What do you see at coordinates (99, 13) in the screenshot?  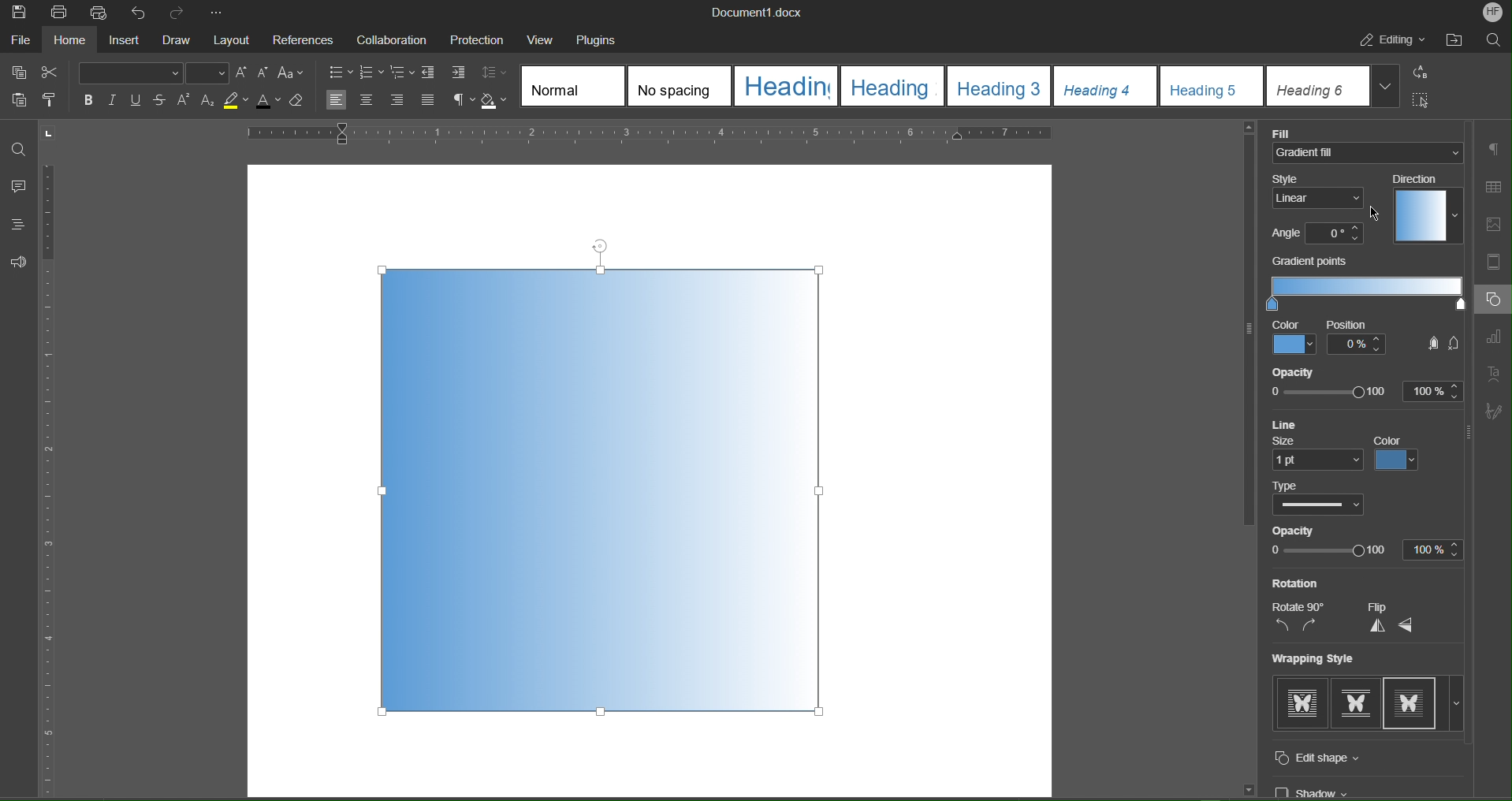 I see `Quick Print` at bounding box center [99, 13].